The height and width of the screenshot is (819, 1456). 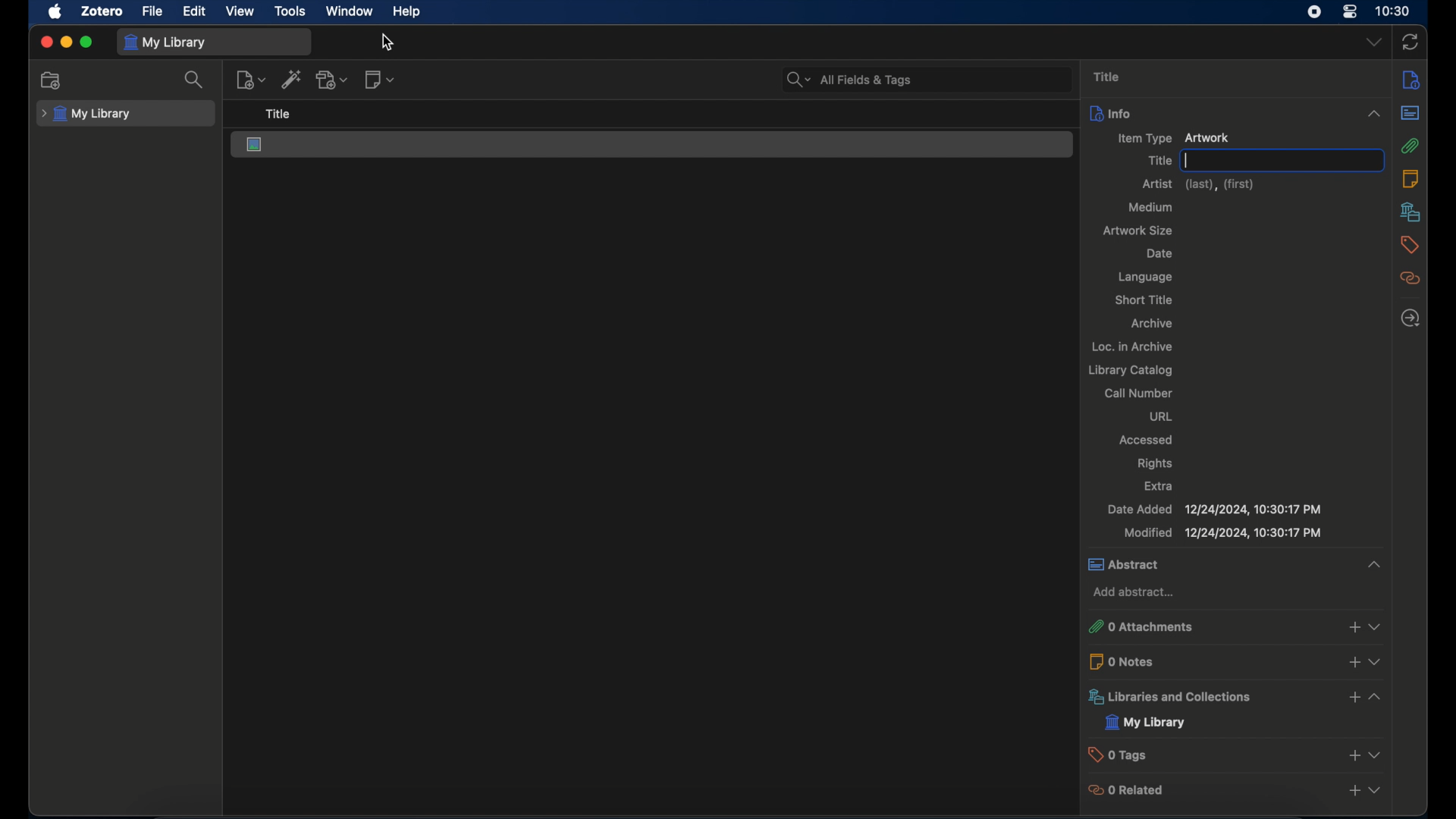 I want to click on url, so click(x=1161, y=417).